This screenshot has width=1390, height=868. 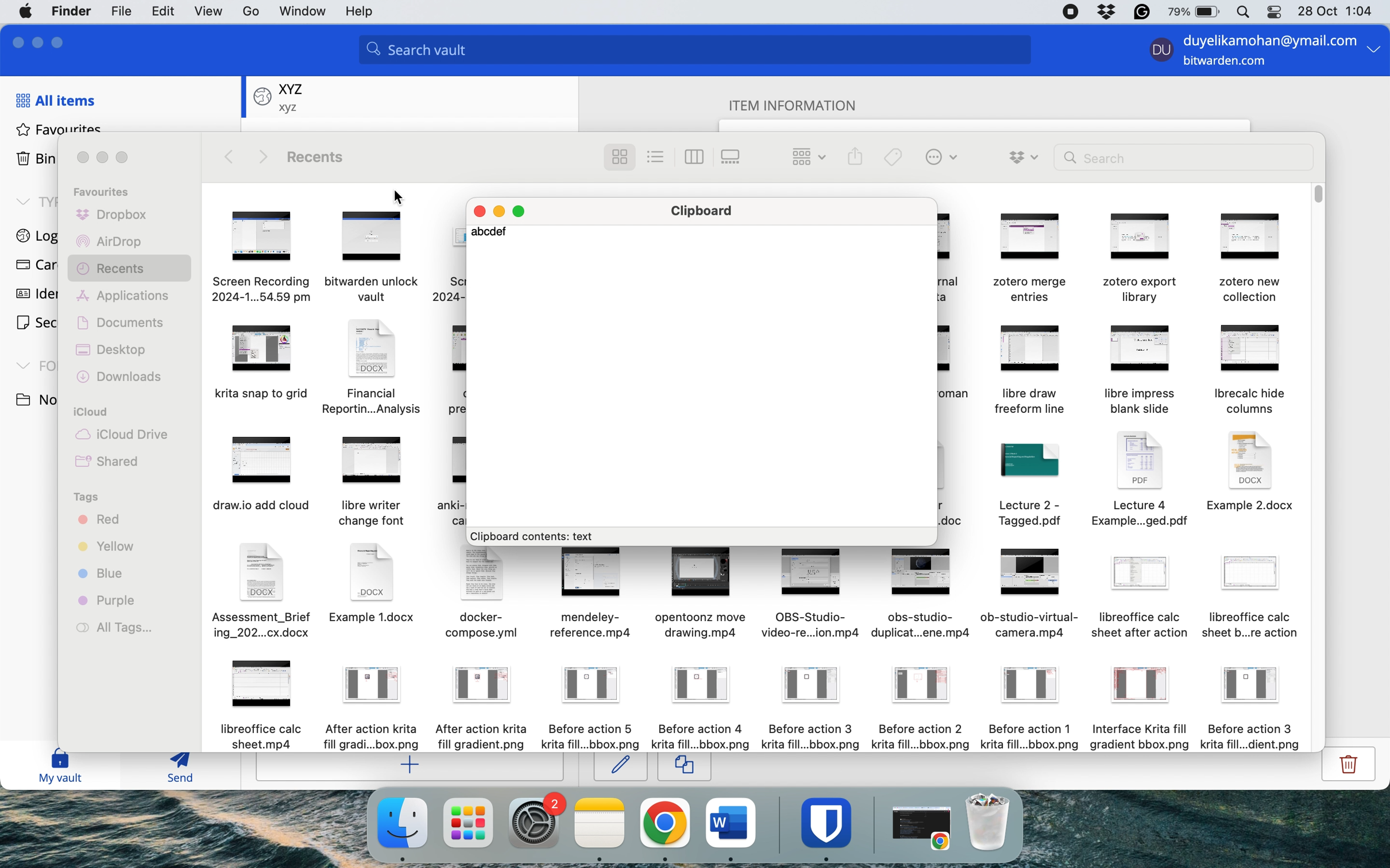 I want to click on favourites, so click(x=107, y=192).